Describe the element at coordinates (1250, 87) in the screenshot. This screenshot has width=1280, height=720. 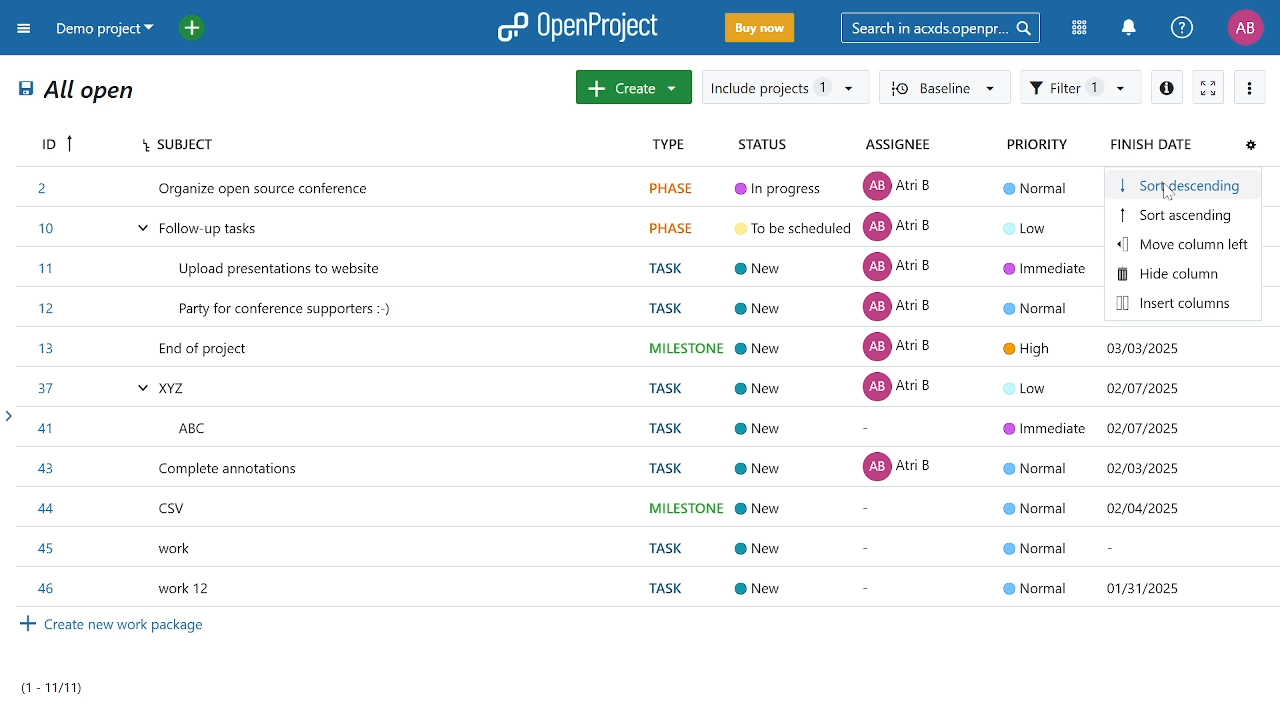
I see `more options` at that location.